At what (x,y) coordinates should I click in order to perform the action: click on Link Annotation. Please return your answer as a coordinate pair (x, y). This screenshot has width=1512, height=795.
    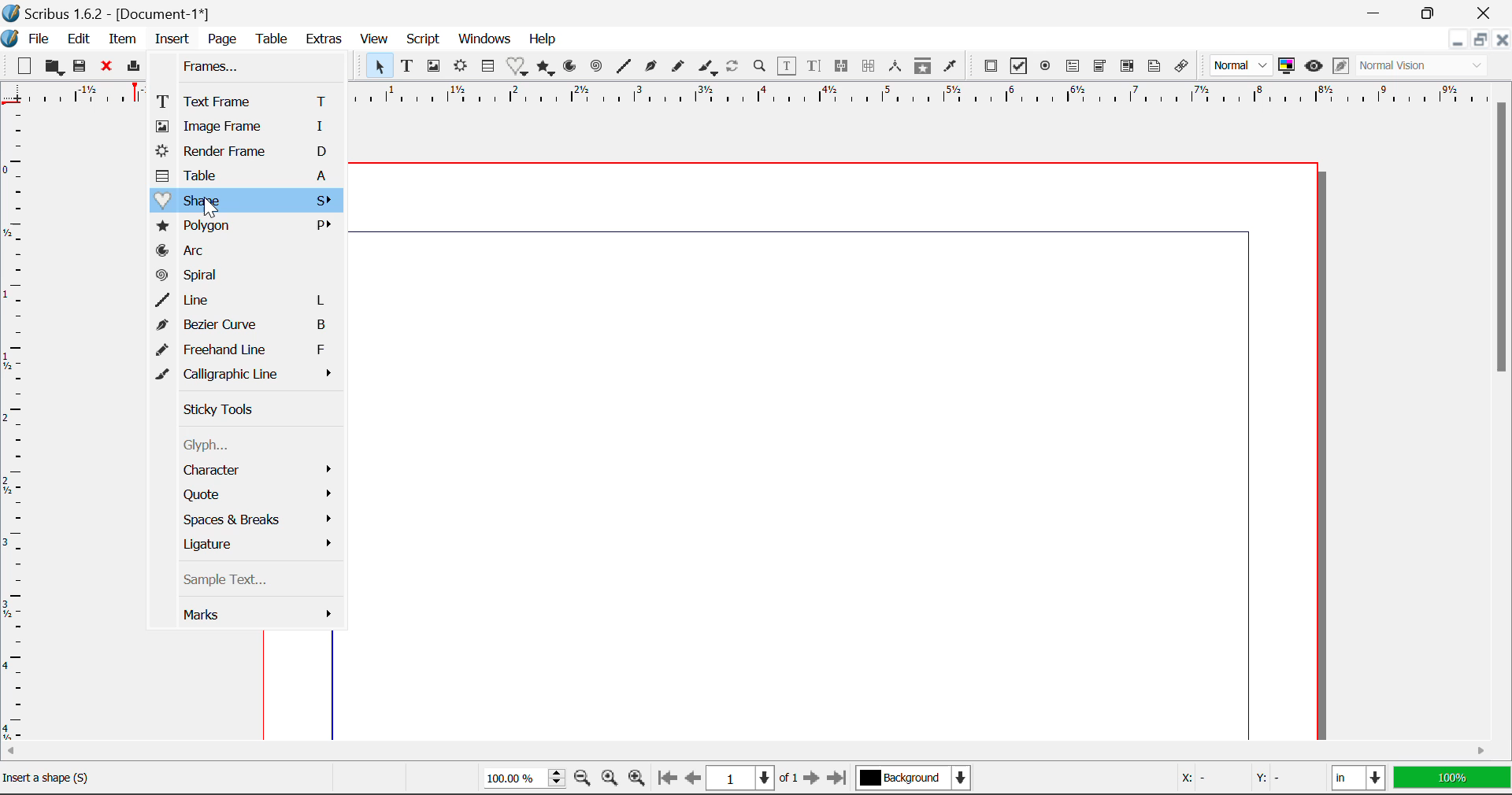
    Looking at the image, I should click on (1182, 67).